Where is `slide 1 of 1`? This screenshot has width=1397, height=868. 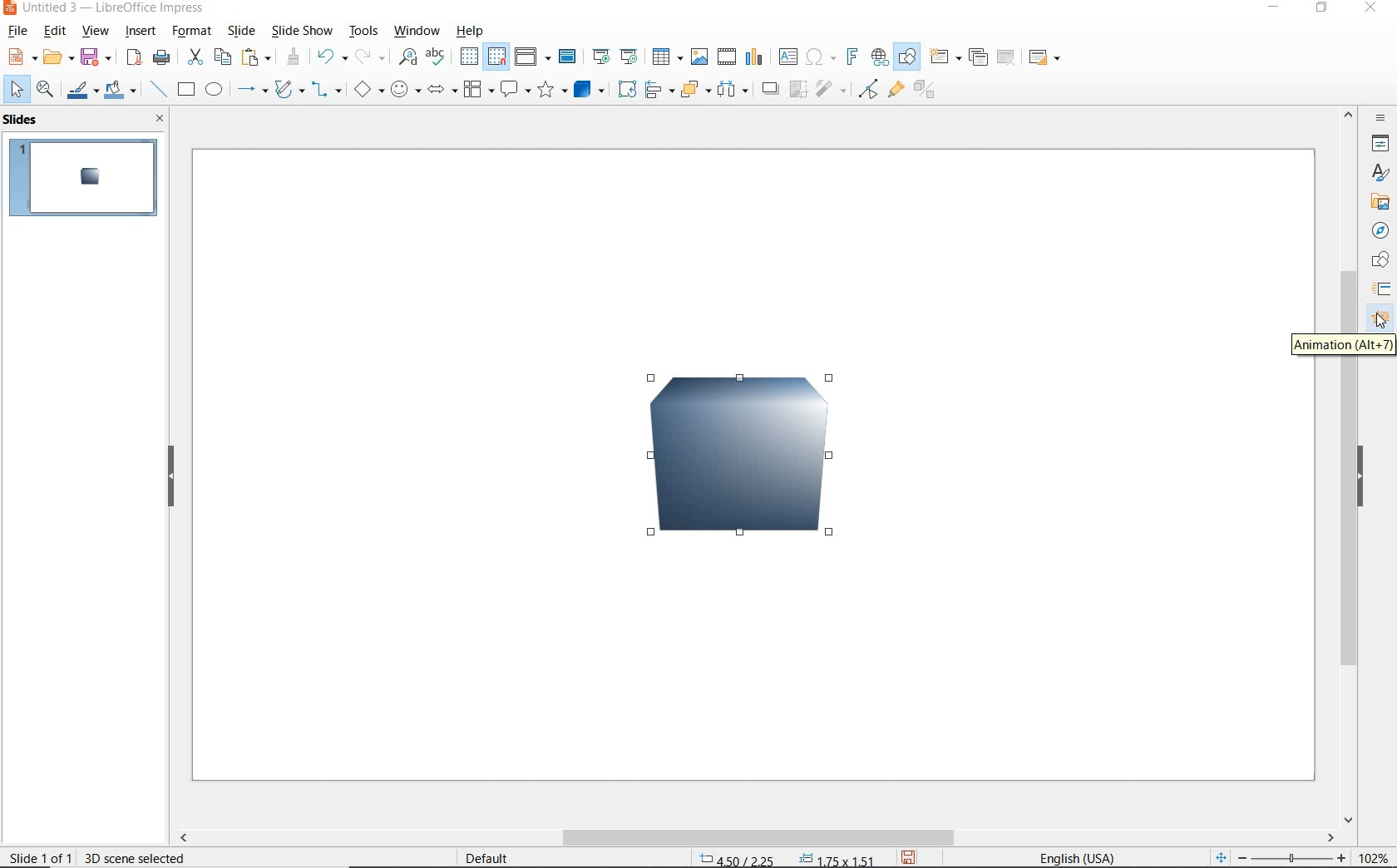 slide 1 of 1 is located at coordinates (41, 856).